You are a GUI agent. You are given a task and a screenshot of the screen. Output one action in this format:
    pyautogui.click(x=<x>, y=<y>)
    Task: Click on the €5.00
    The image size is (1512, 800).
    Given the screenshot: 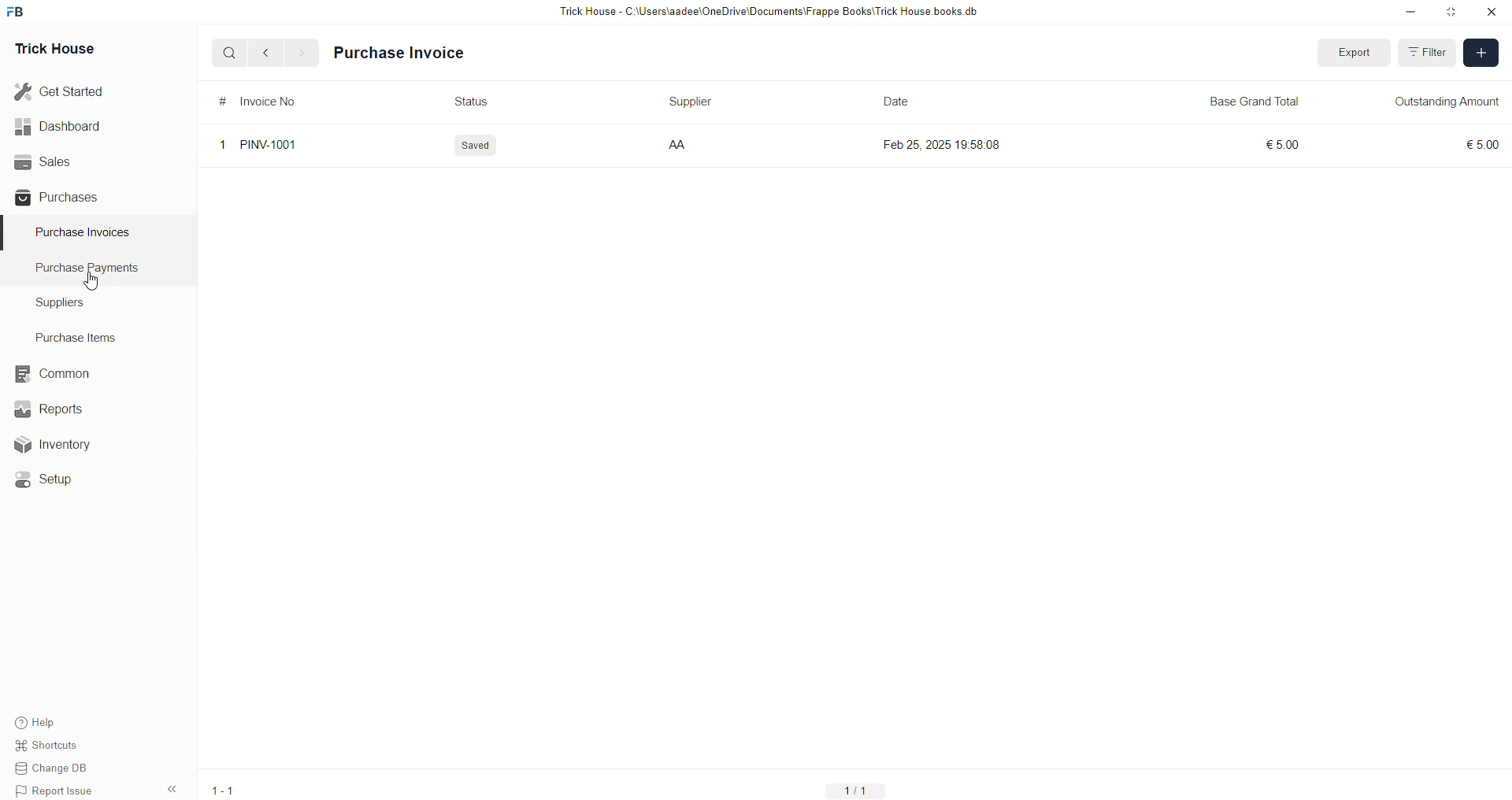 What is the action you would take?
    pyautogui.click(x=1476, y=143)
    